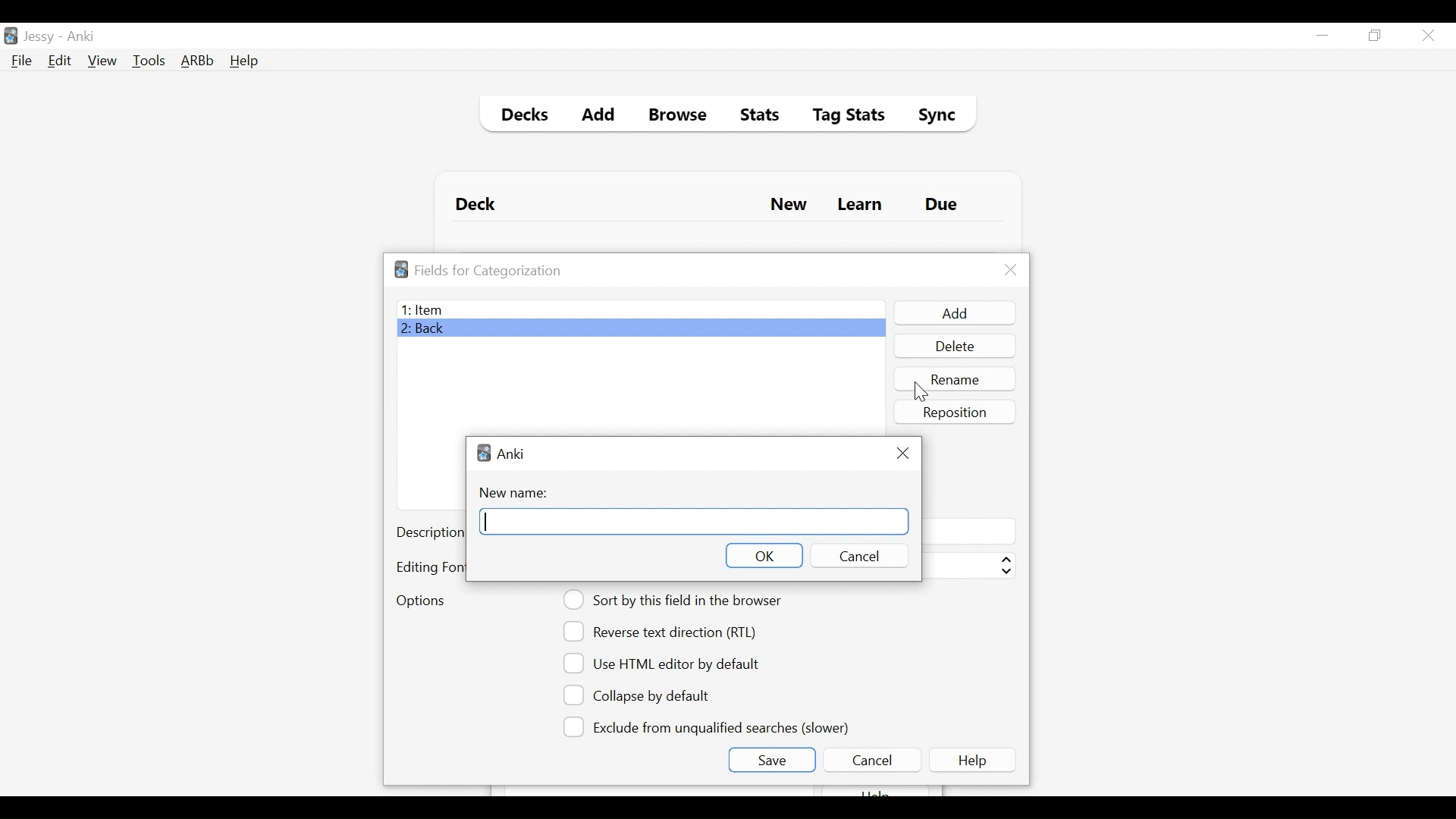 This screenshot has width=1456, height=819. What do you see at coordinates (680, 117) in the screenshot?
I see `Browse` at bounding box center [680, 117].